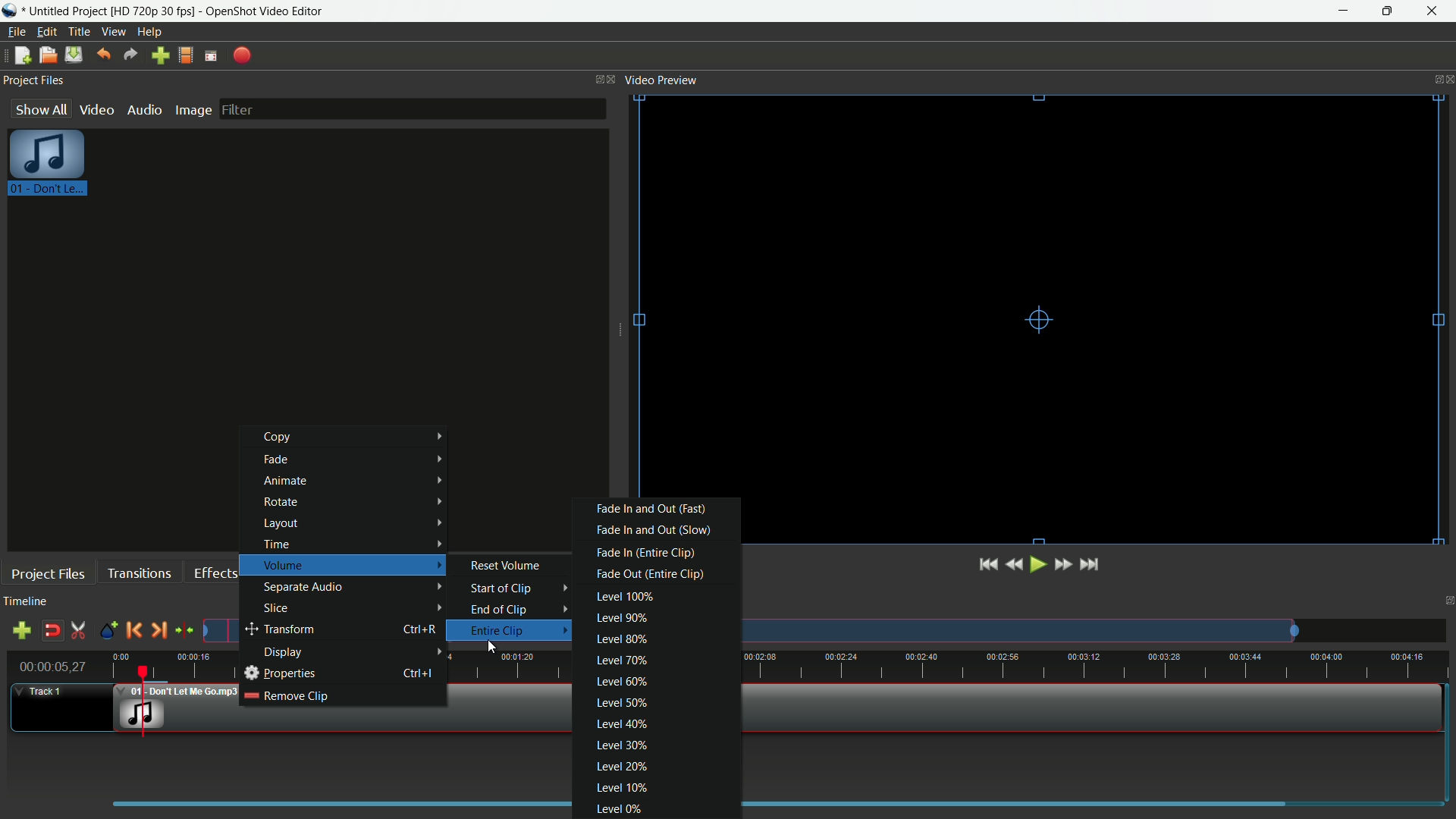  I want to click on timeline, so click(28, 602).